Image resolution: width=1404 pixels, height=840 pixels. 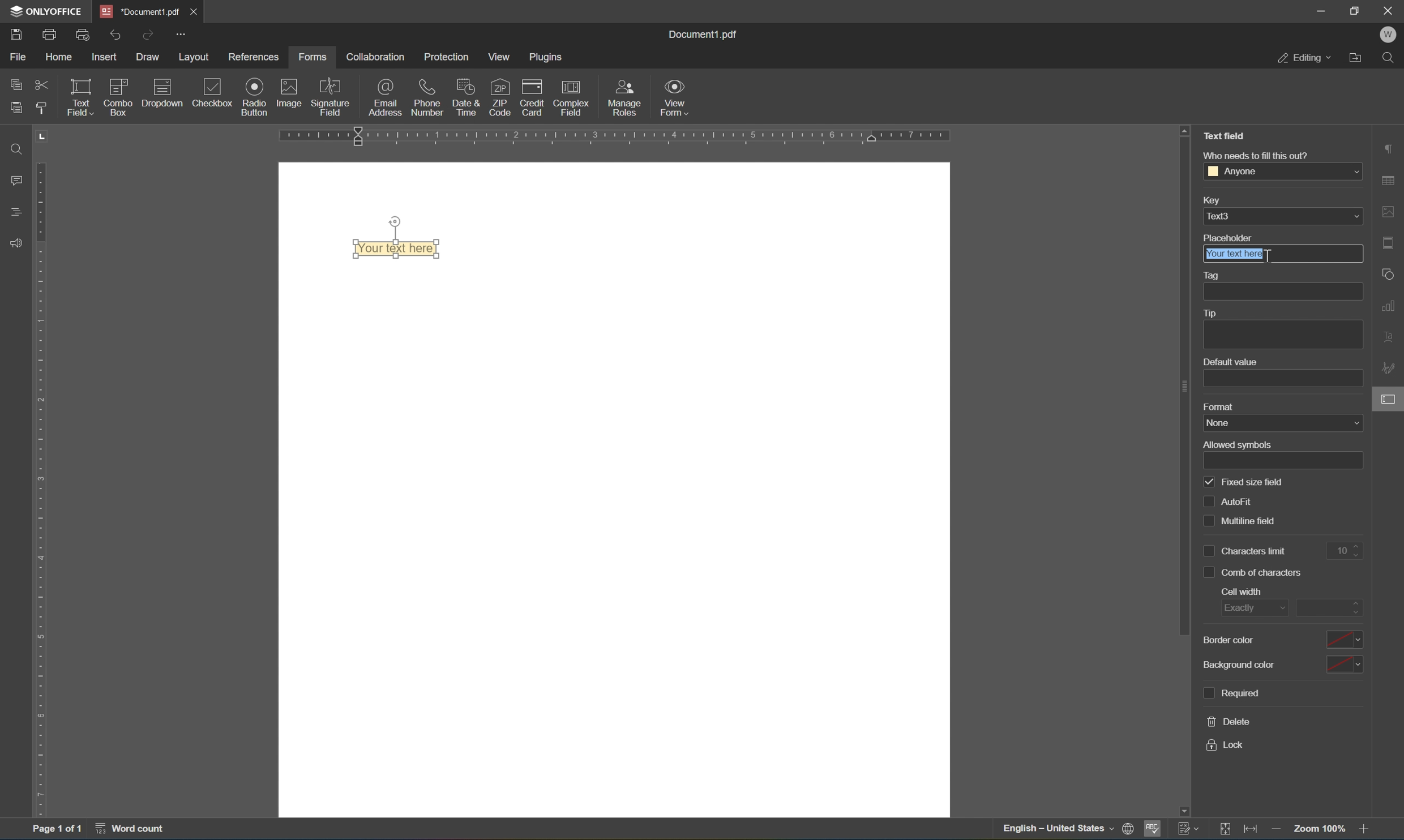 I want to click on feedback & support, so click(x=19, y=242).